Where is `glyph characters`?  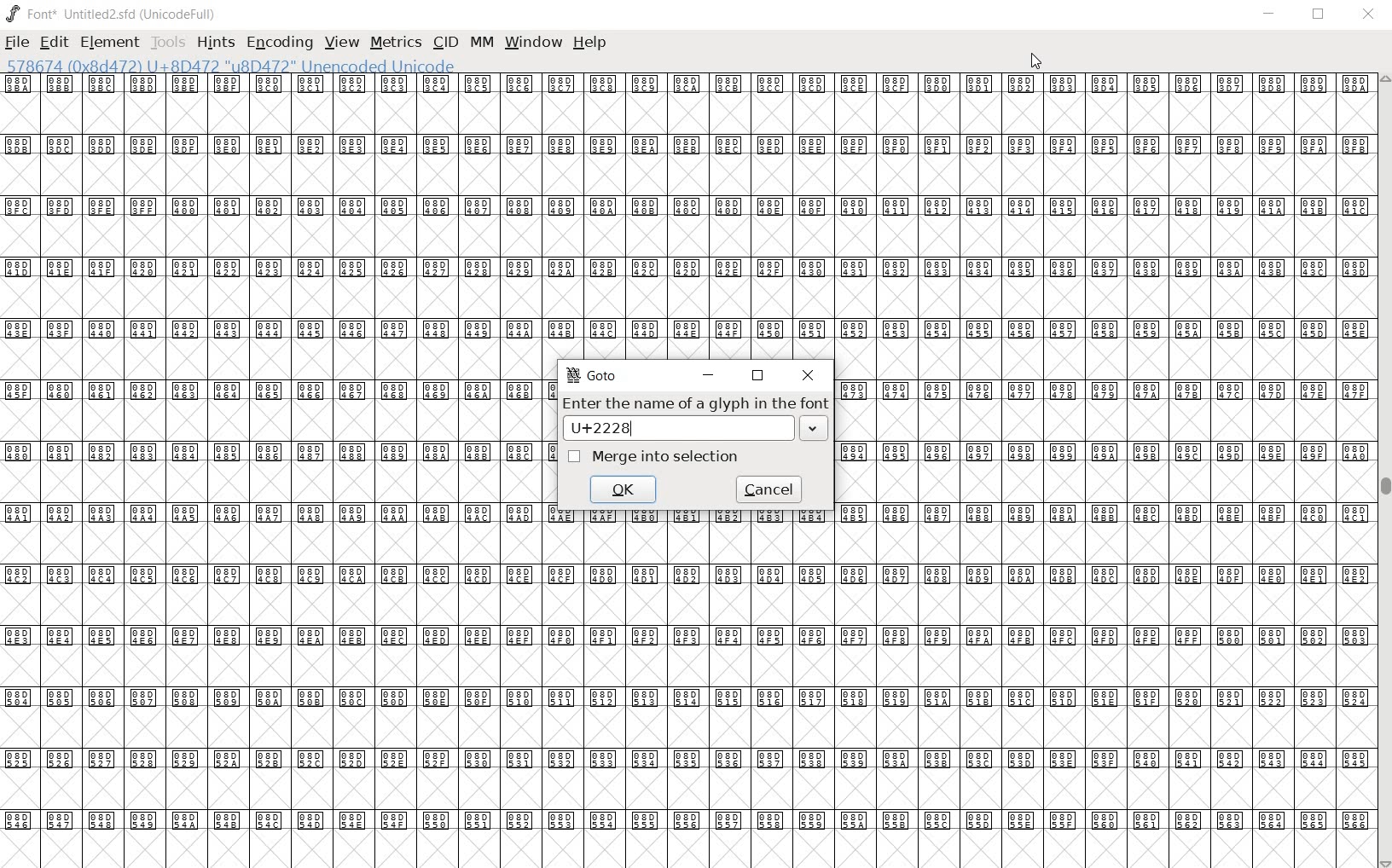 glyph characters is located at coordinates (1103, 439).